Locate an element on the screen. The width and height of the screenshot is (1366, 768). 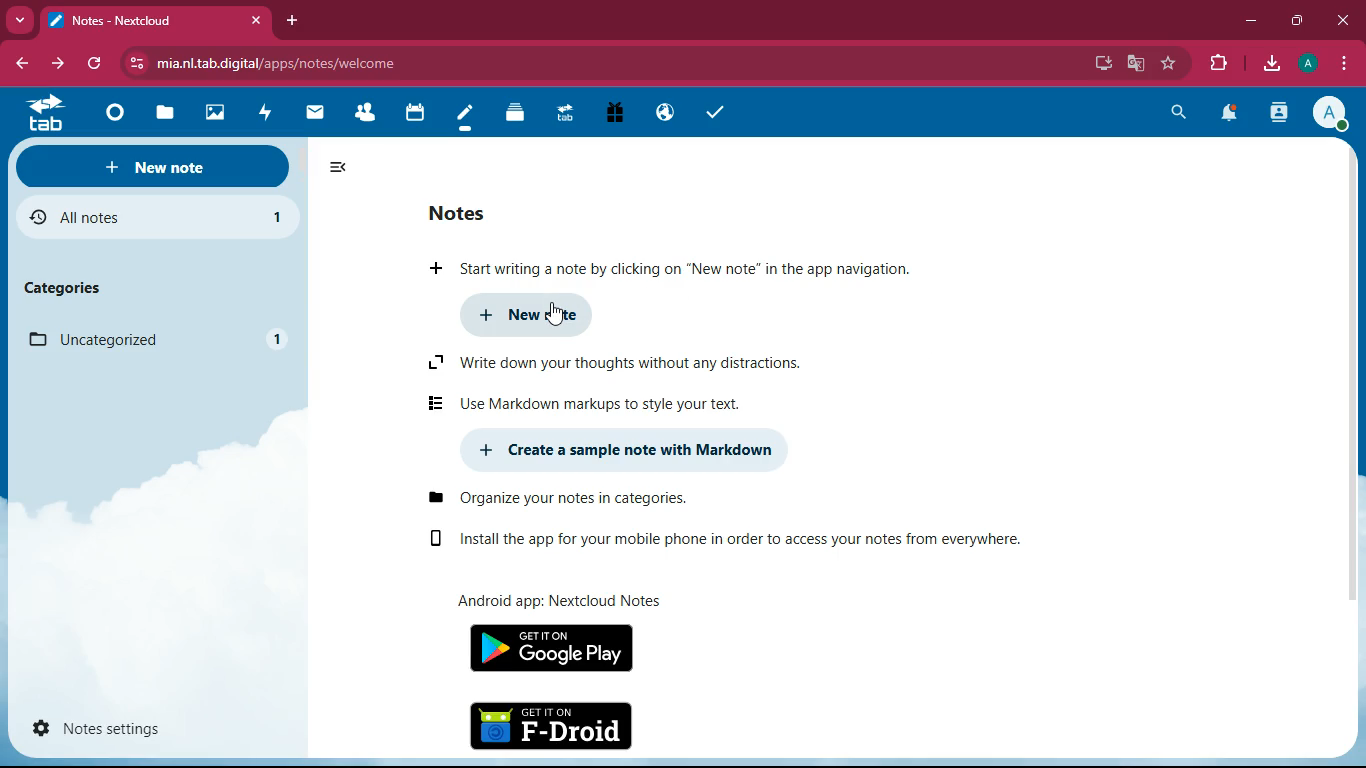
maximize is located at coordinates (1295, 20).